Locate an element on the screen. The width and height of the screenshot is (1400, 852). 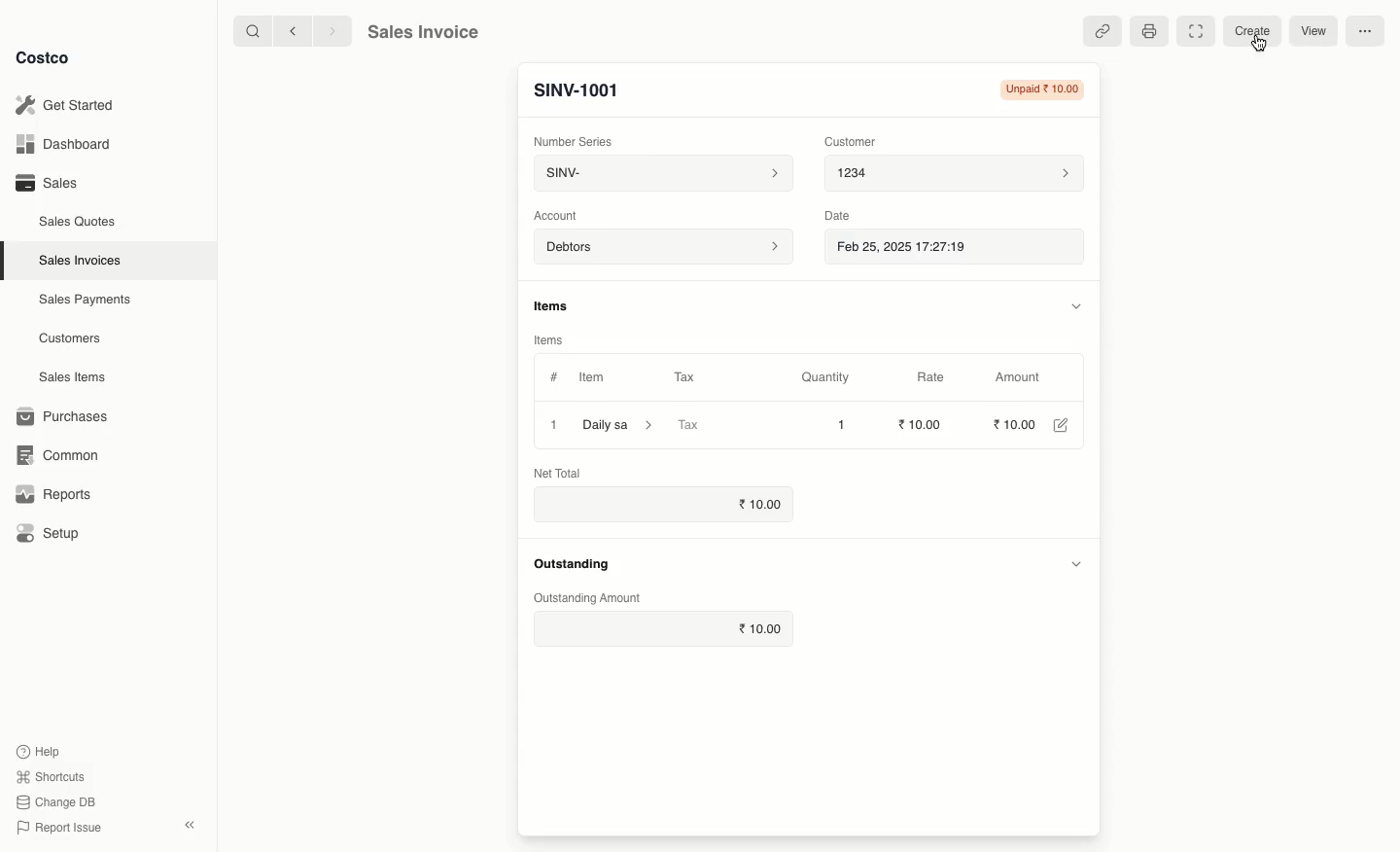
Customer is located at coordinates (852, 143).